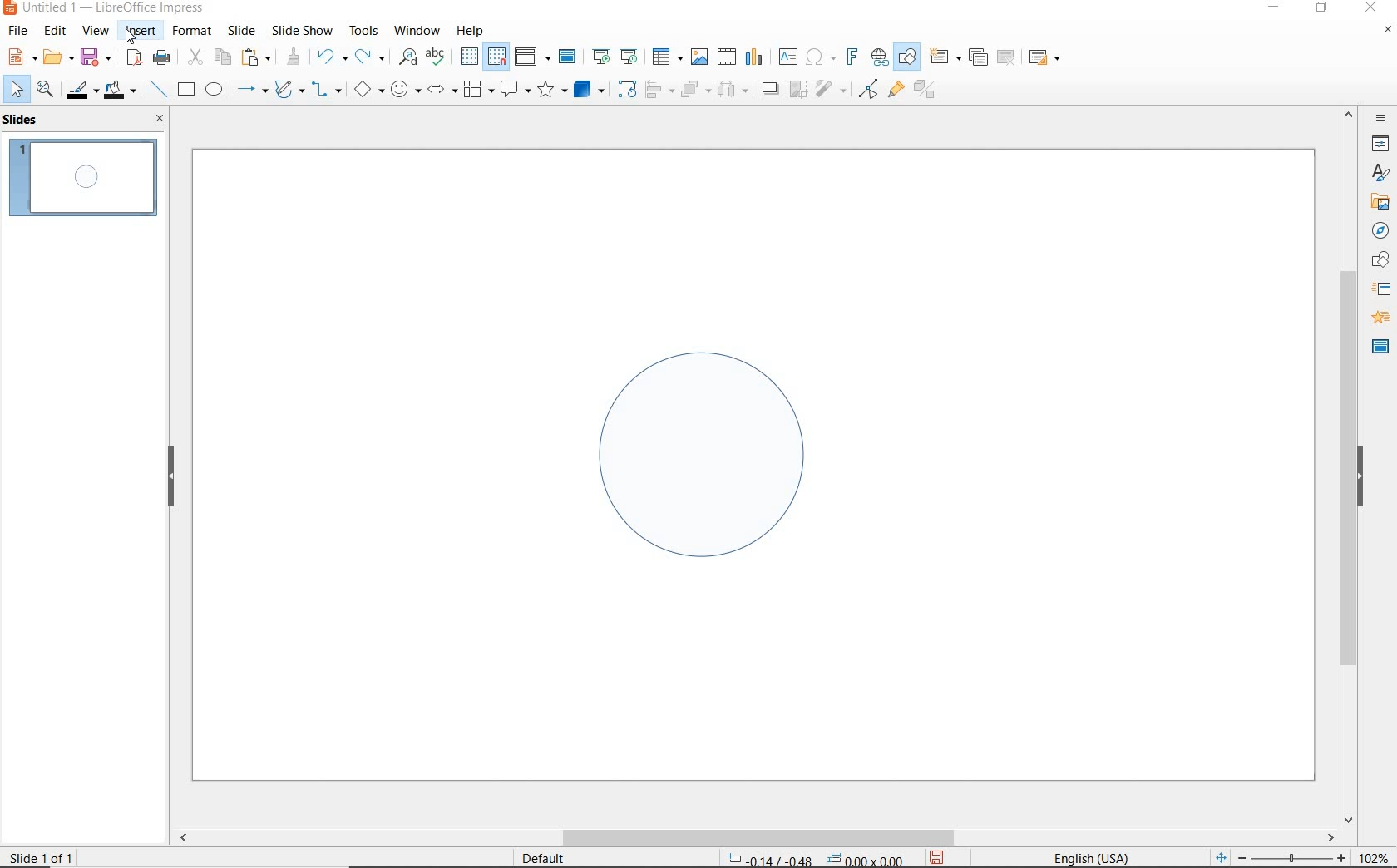 Image resolution: width=1397 pixels, height=868 pixels. What do you see at coordinates (1378, 260) in the screenshot?
I see `shapes` at bounding box center [1378, 260].